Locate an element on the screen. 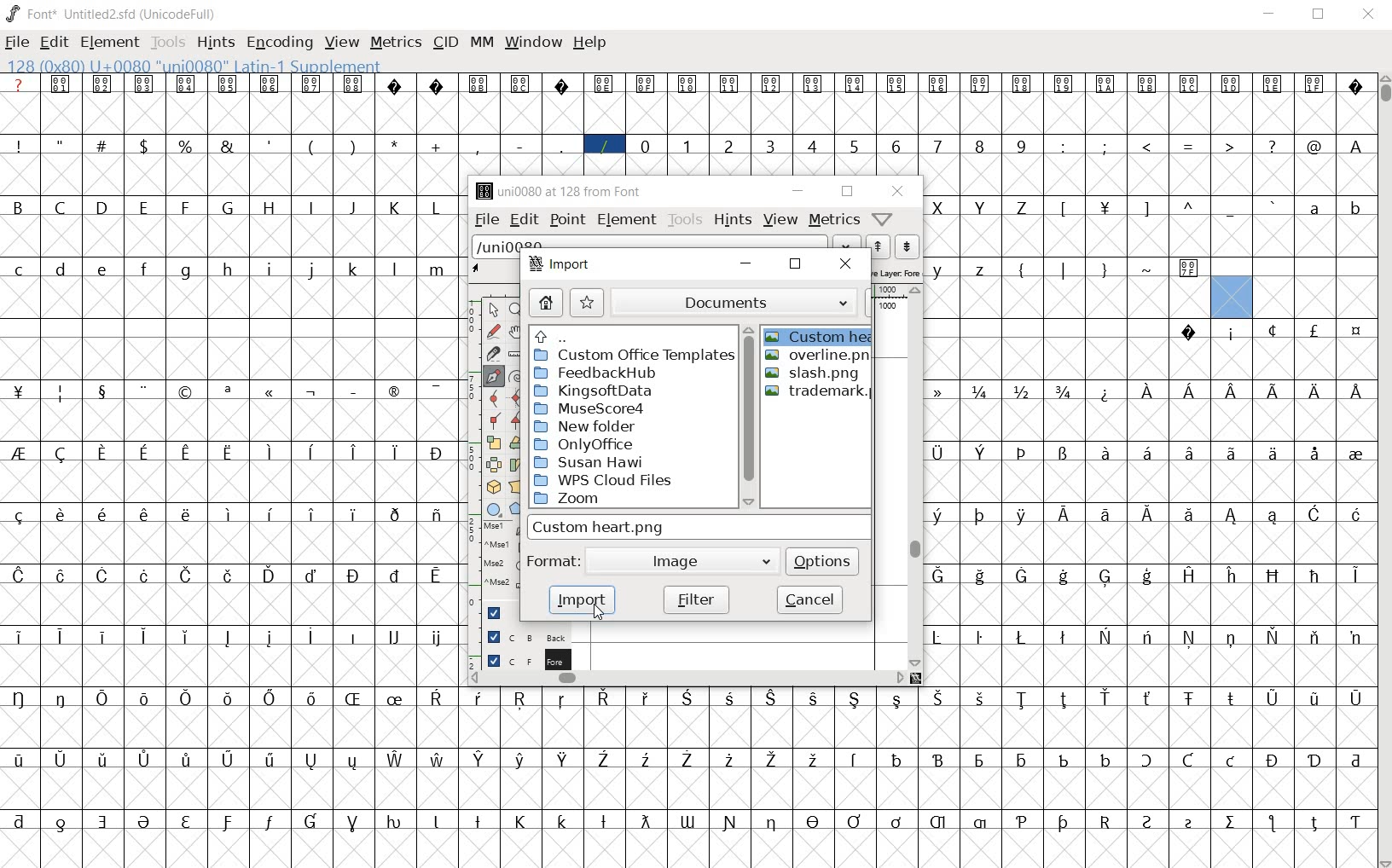  glyph is located at coordinates (519, 84).